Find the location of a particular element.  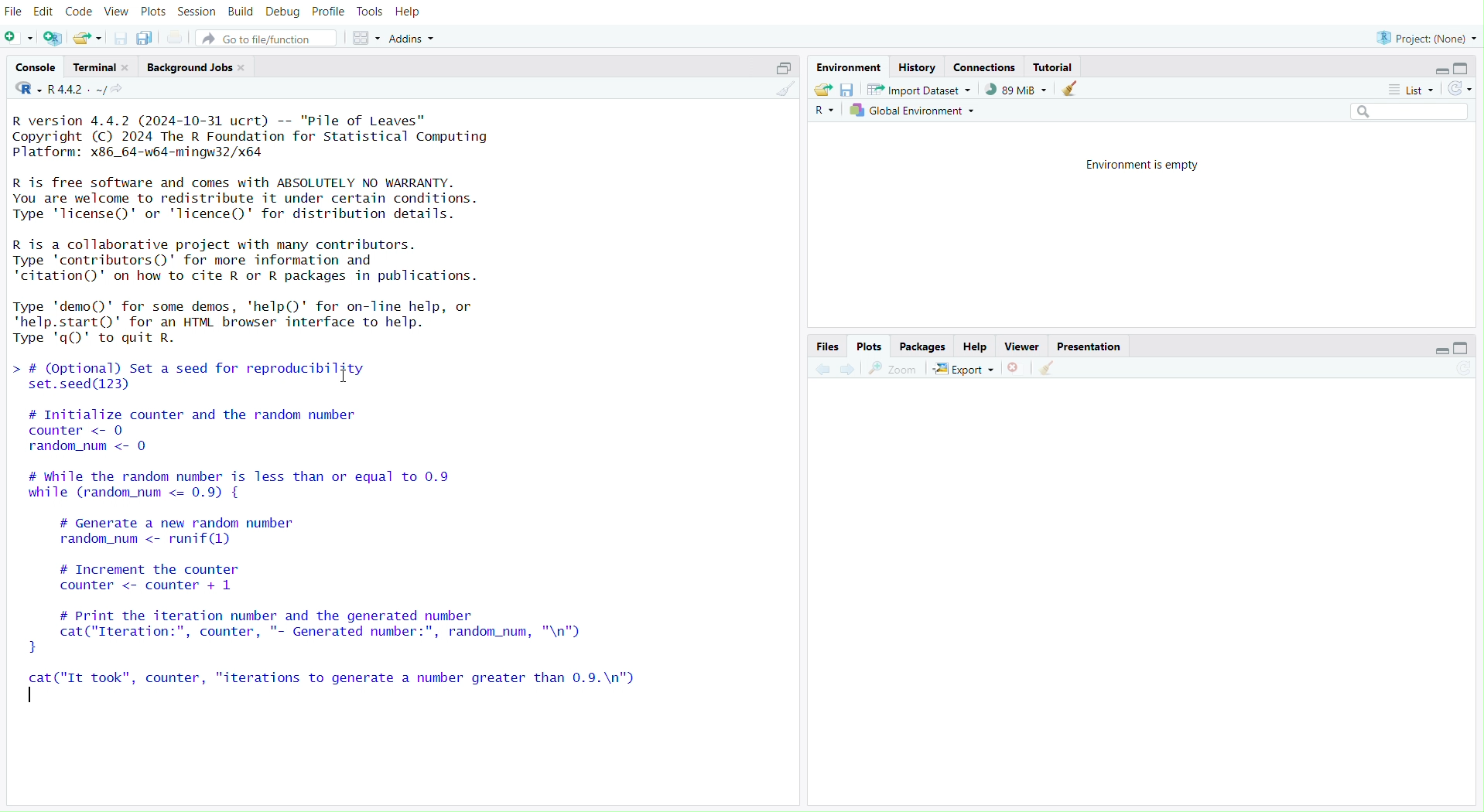

View is located at coordinates (115, 12).